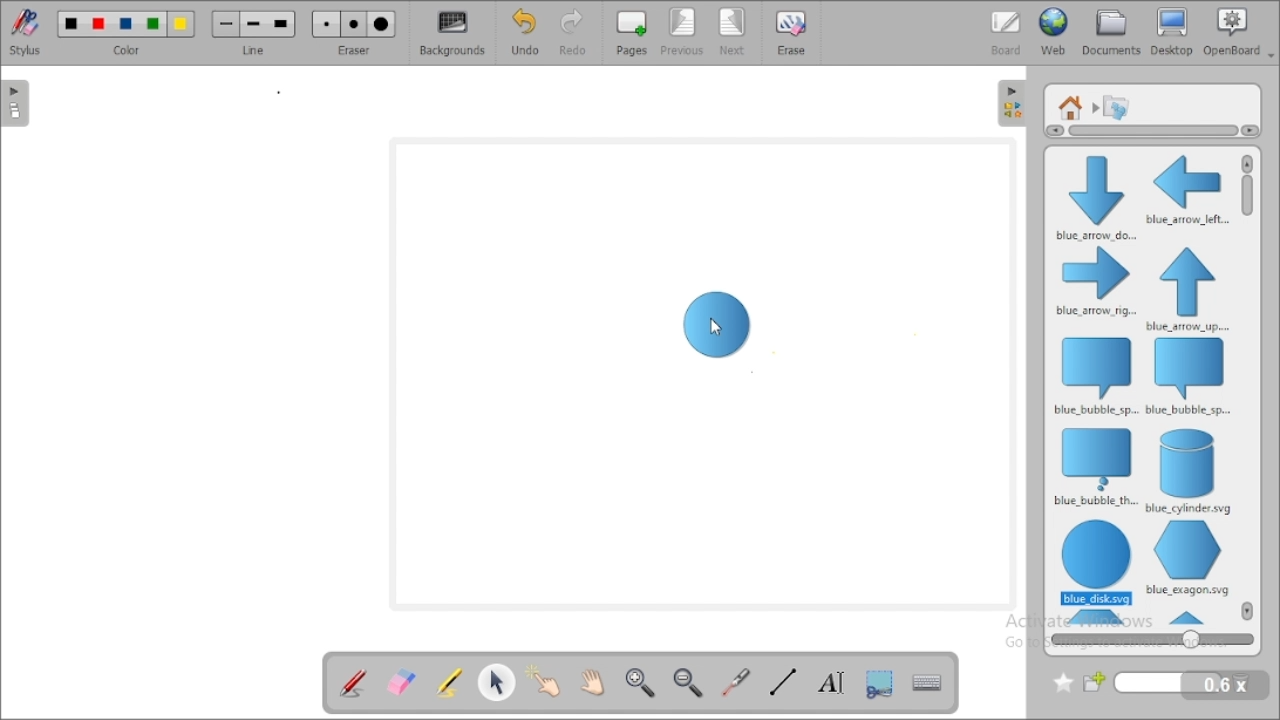 This screenshot has height=720, width=1280. I want to click on board, so click(1006, 32).